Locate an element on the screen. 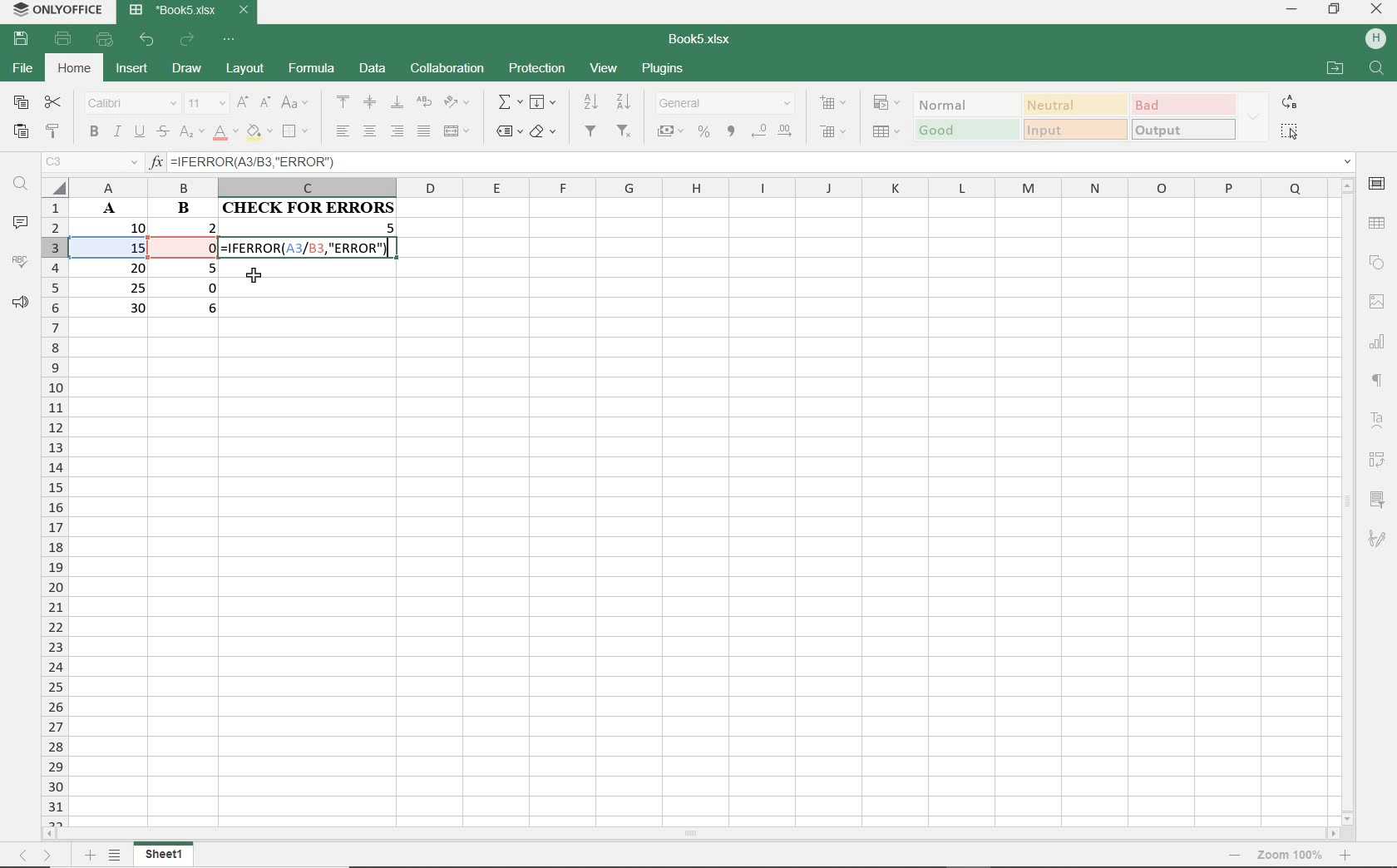 Image resolution: width=1397 pixels, height=868 pixels. OPEN FILE LOCATION is located at coordinates (1334, 67).